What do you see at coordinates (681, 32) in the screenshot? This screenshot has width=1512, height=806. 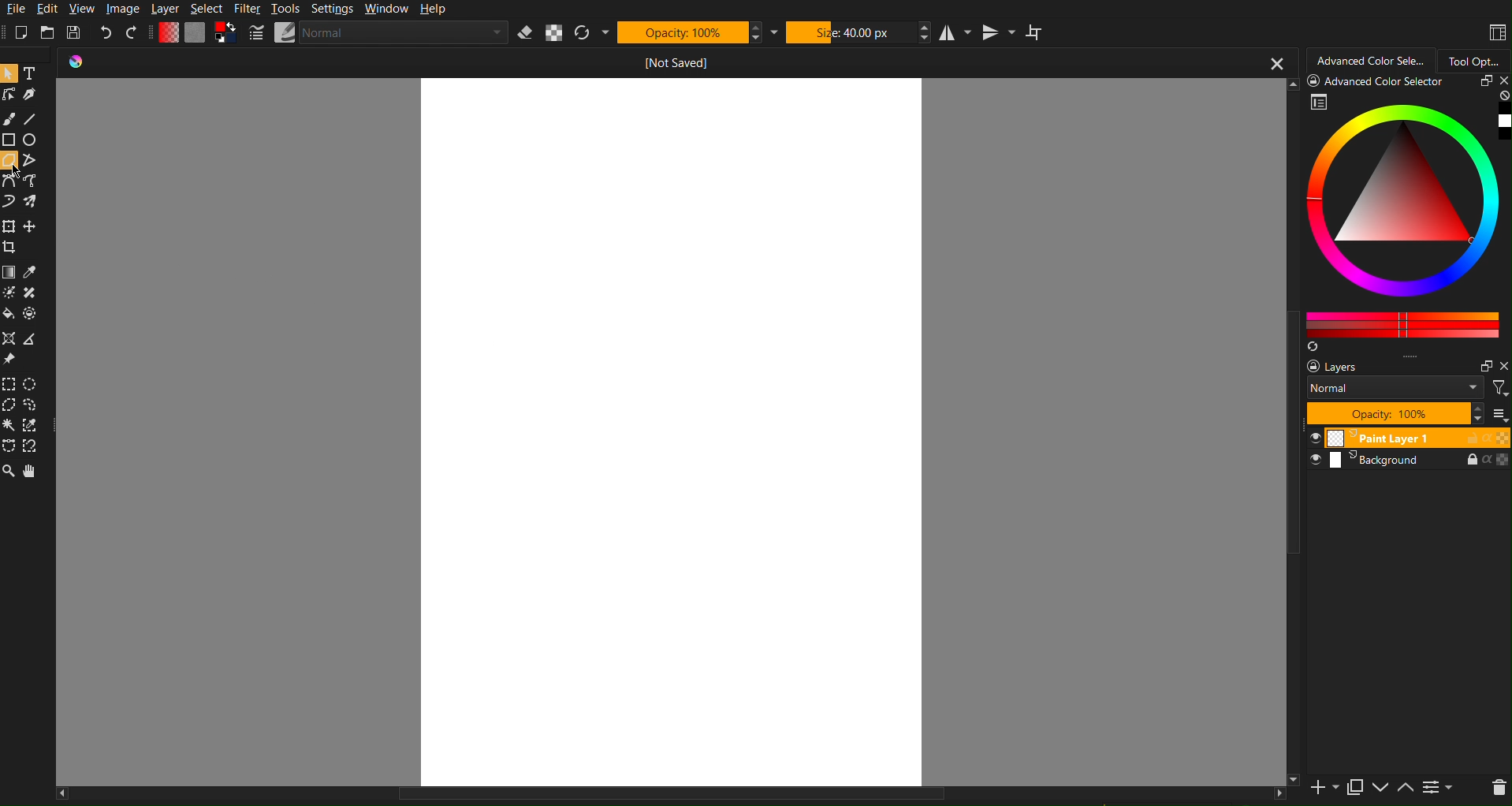 I see `Opacity: 100%` at bounding box center [681, 32].